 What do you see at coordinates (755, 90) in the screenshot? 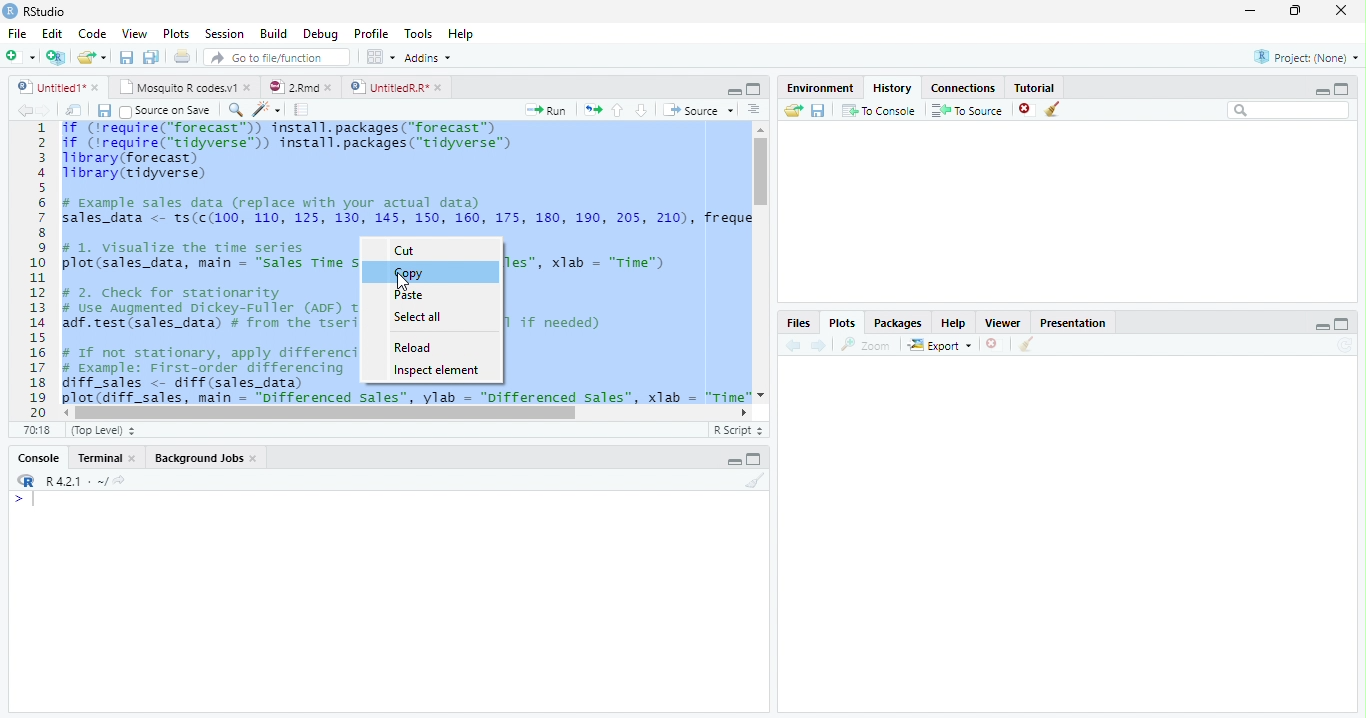
I see `Maximize` at bounding box center [755, 90].